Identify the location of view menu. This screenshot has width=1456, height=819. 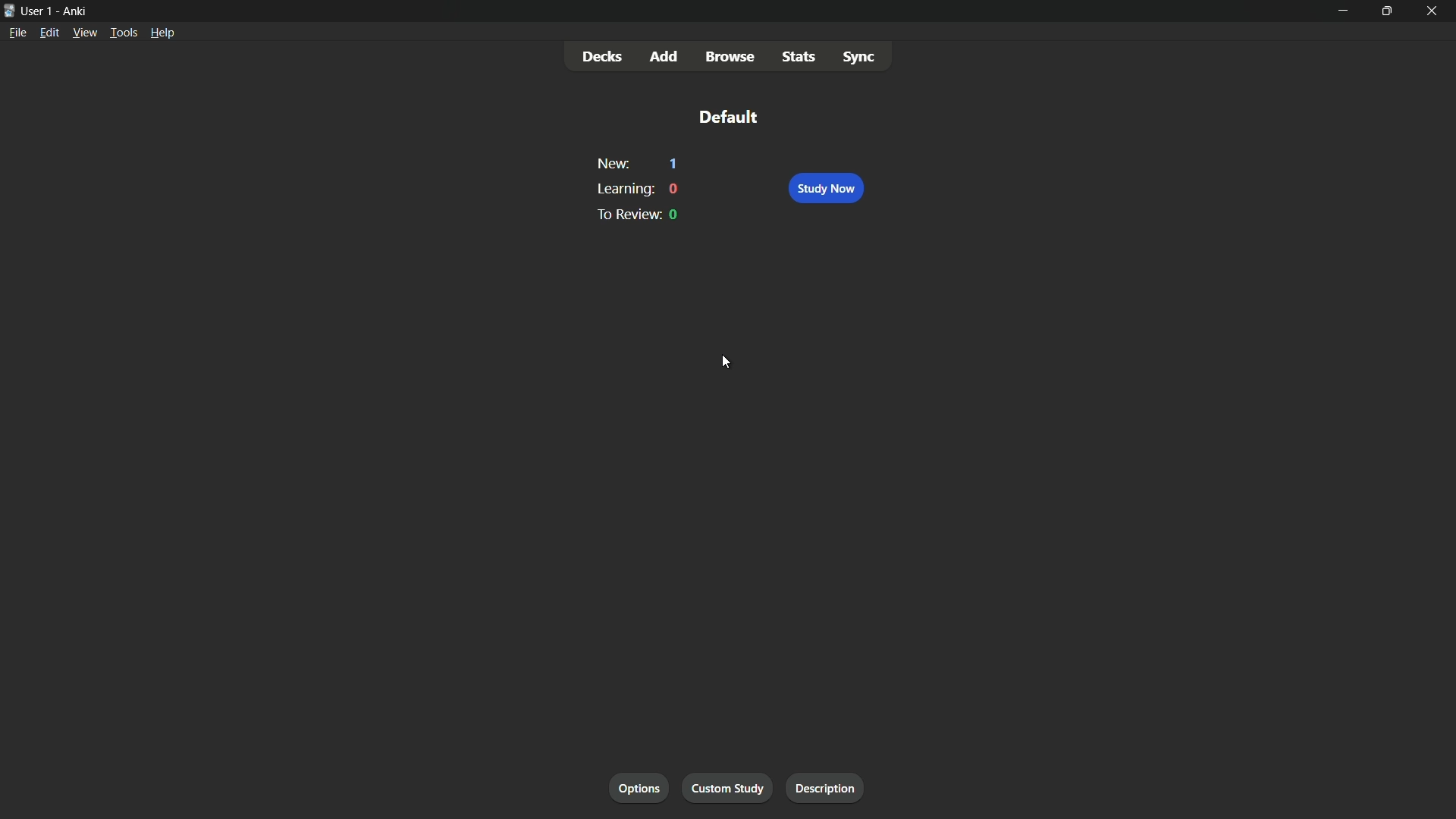
(85, 33).